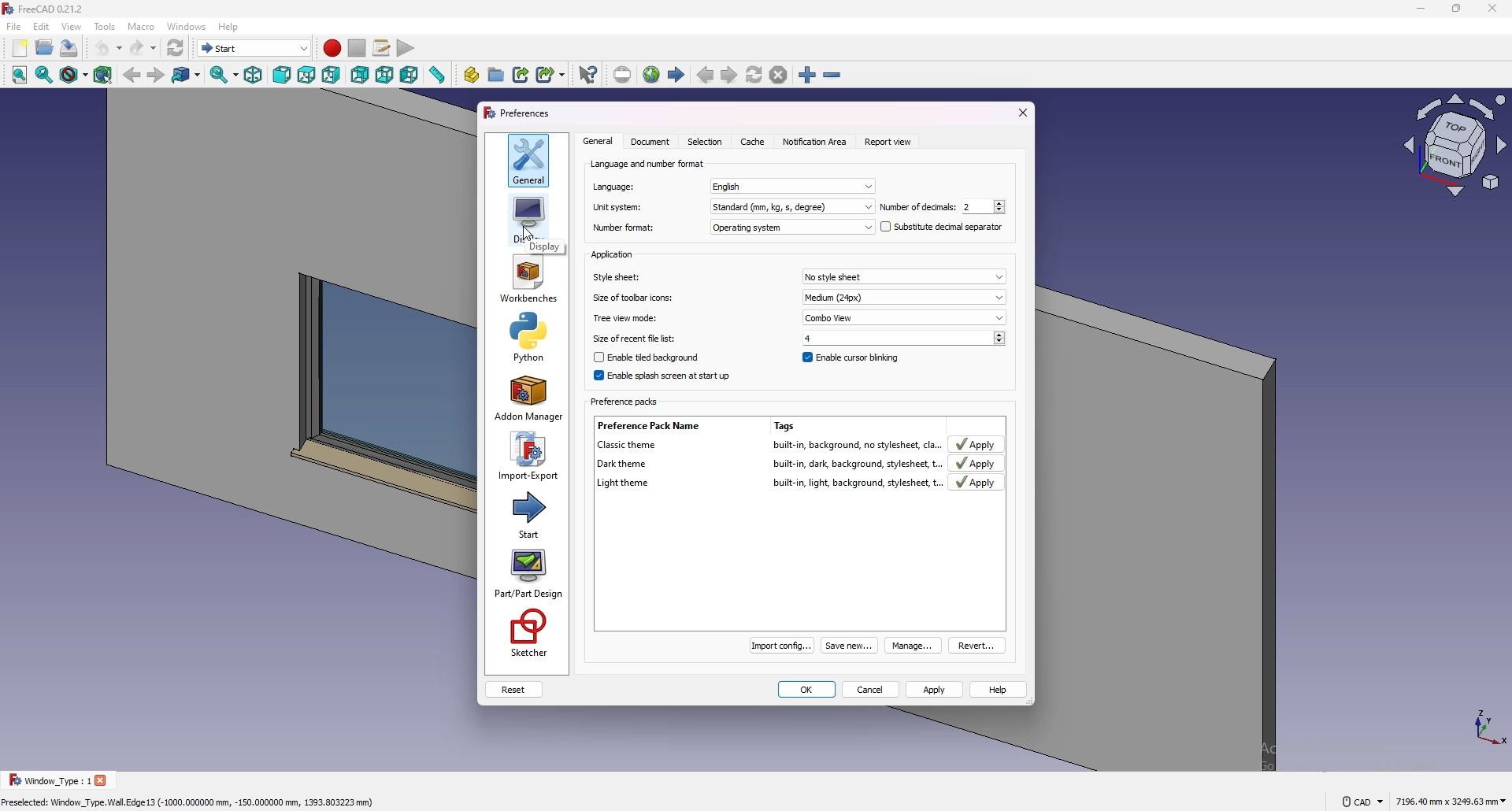  What do you see at coordinates (187, 26) in the screenshot?
I see `windows` at bounding box center [187, 26].